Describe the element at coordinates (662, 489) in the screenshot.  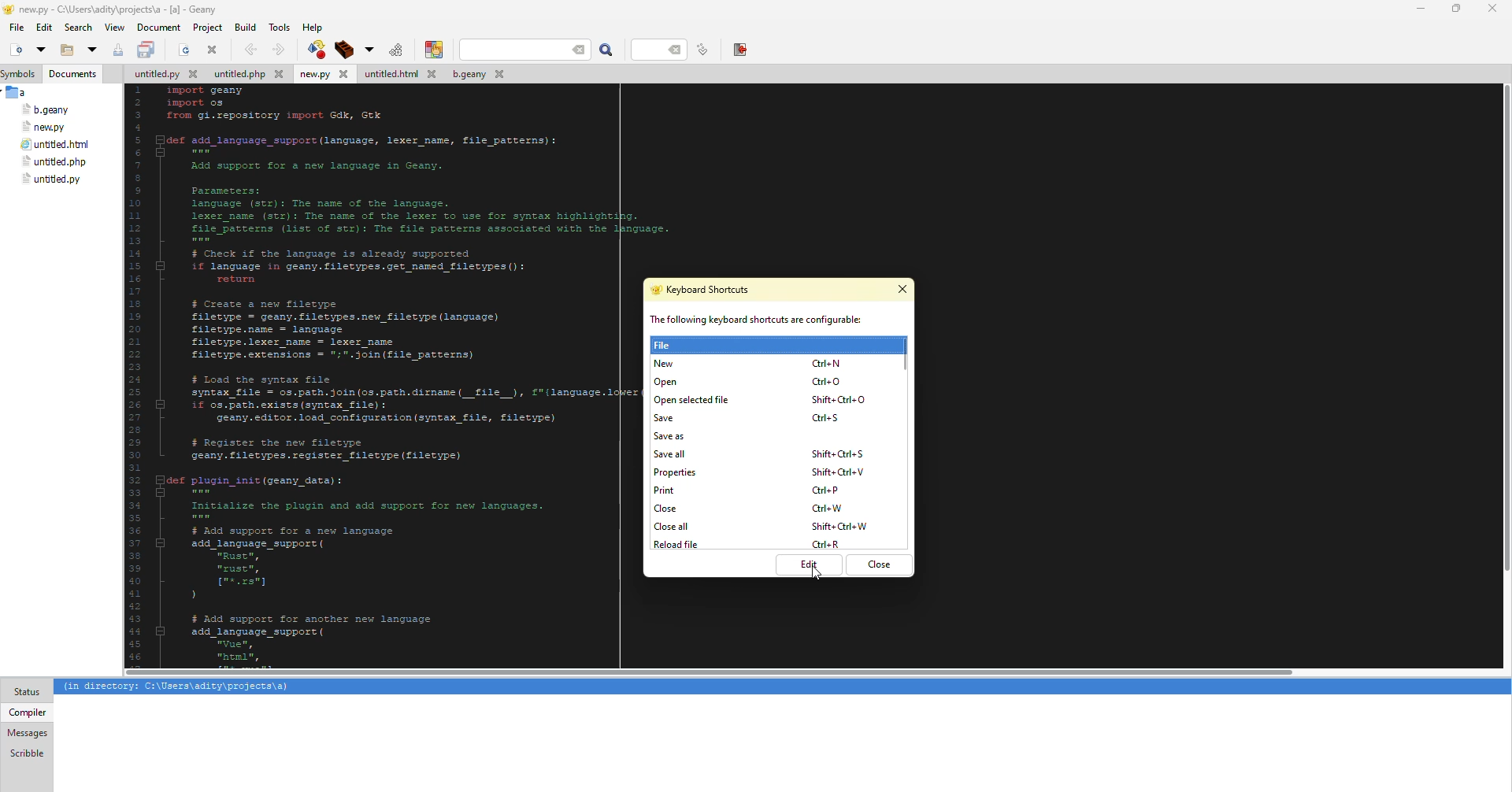
I see `print` at that location.